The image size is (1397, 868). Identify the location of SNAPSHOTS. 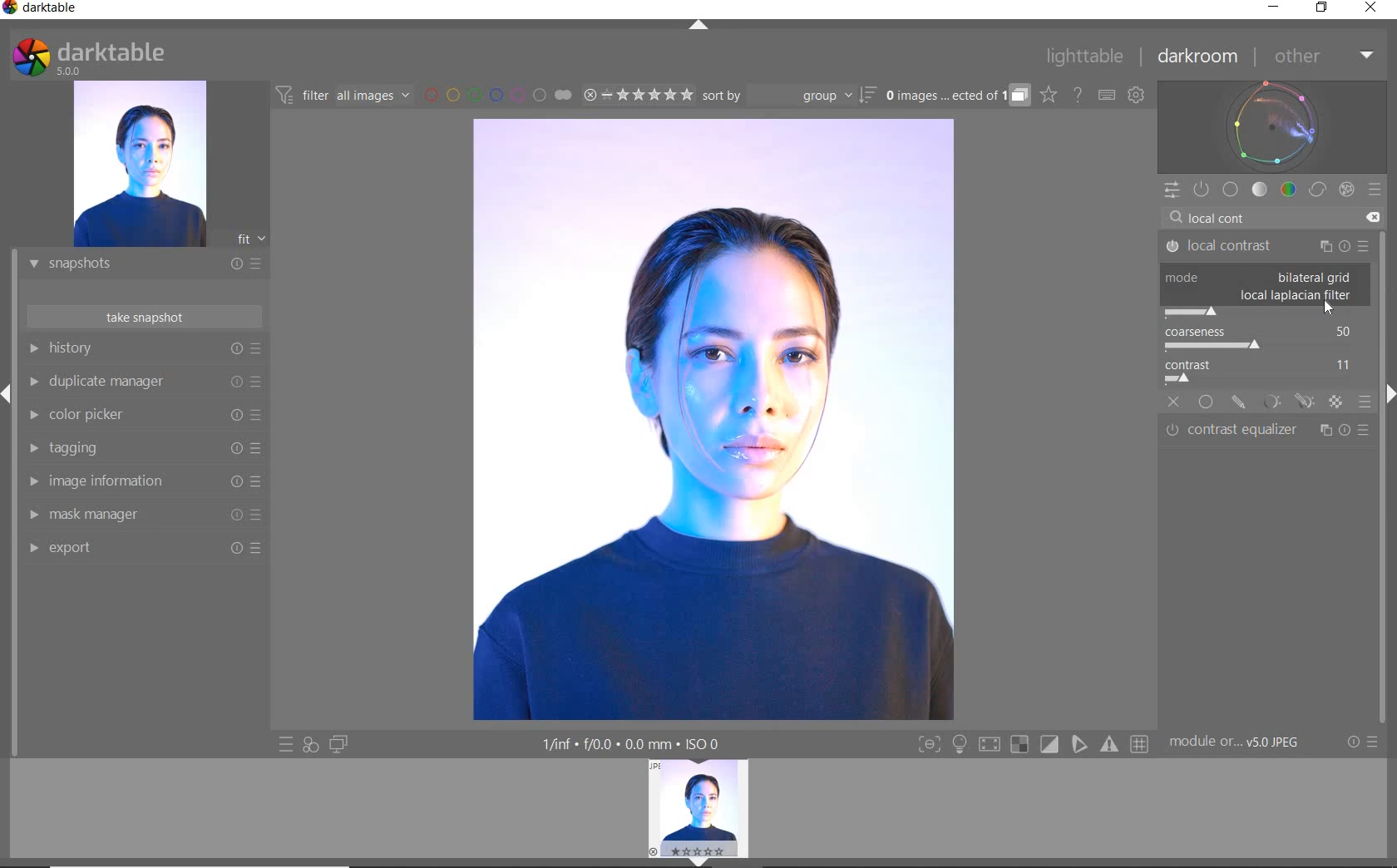
(138, 265).